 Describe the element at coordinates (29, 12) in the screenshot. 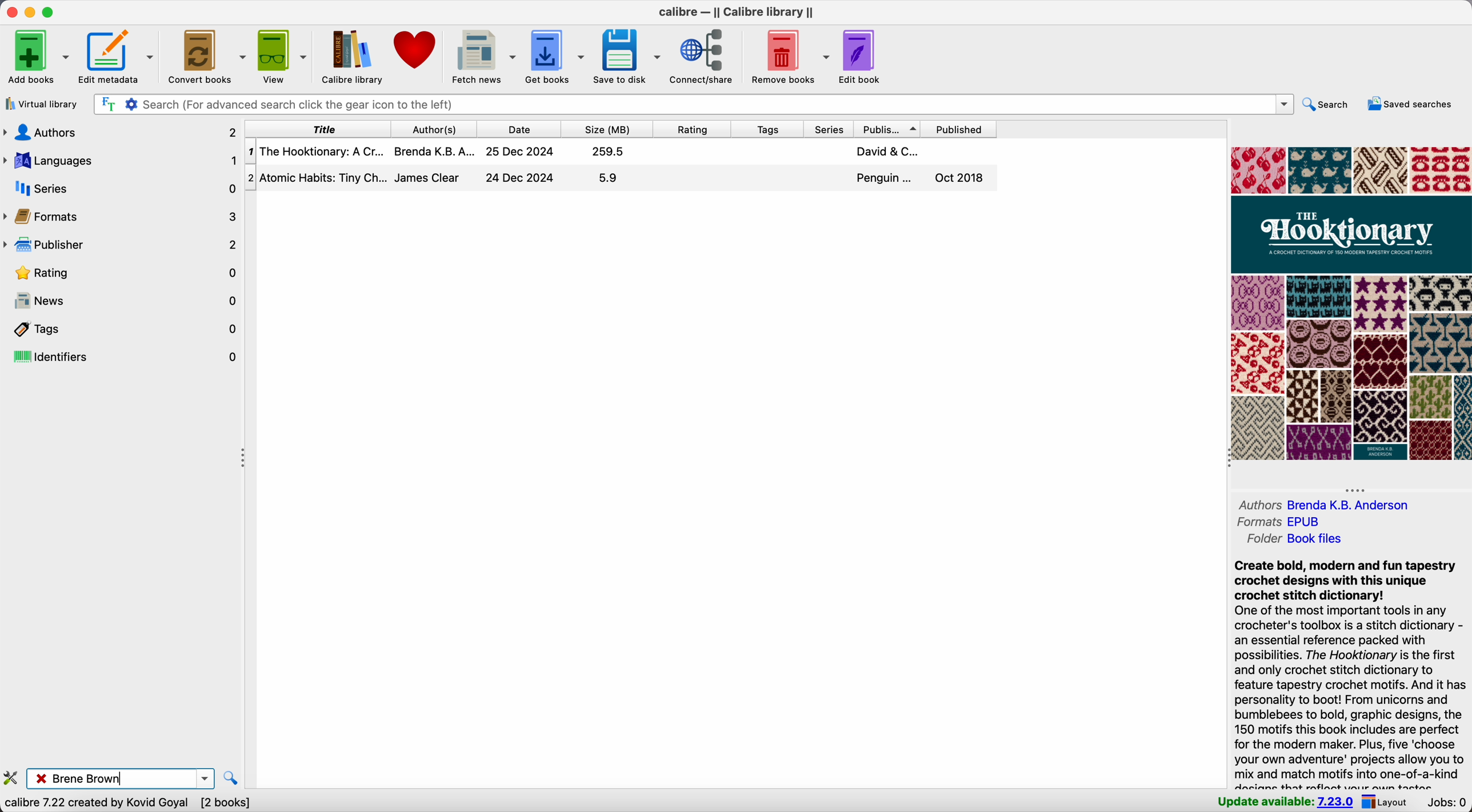

I see `minimize` at that location.